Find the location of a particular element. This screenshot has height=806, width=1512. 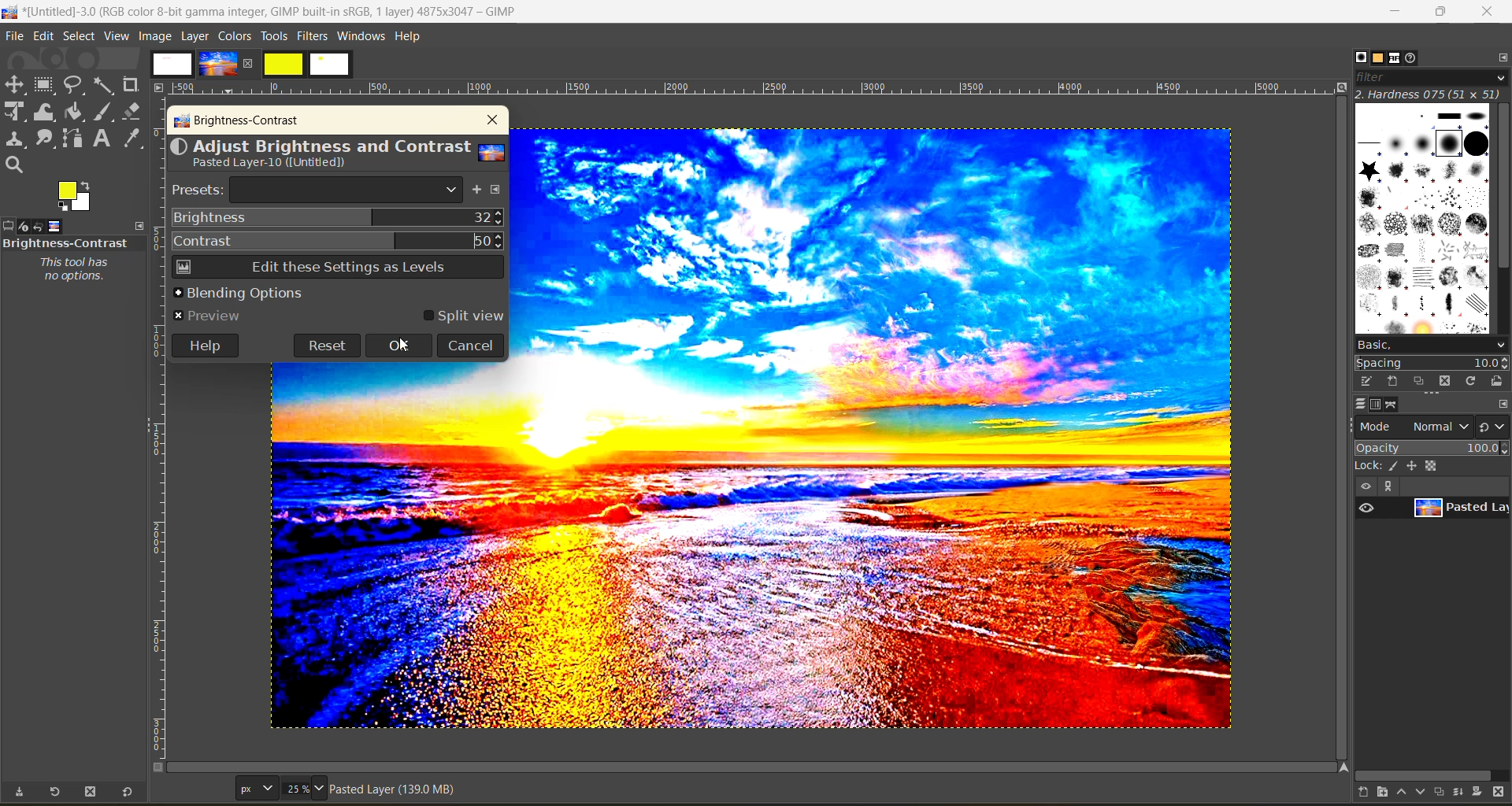

file is located at coordinates (13, 38).